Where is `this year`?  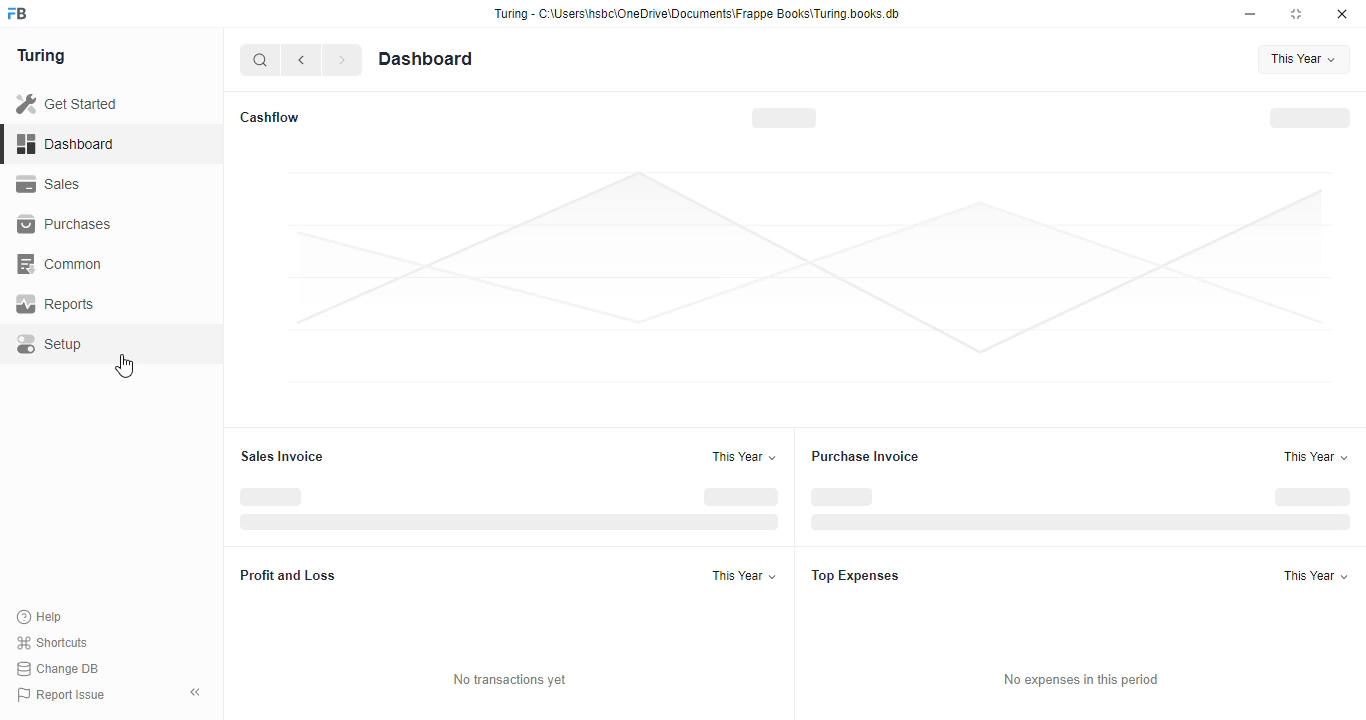
this year is located at coordinates (744, 576).